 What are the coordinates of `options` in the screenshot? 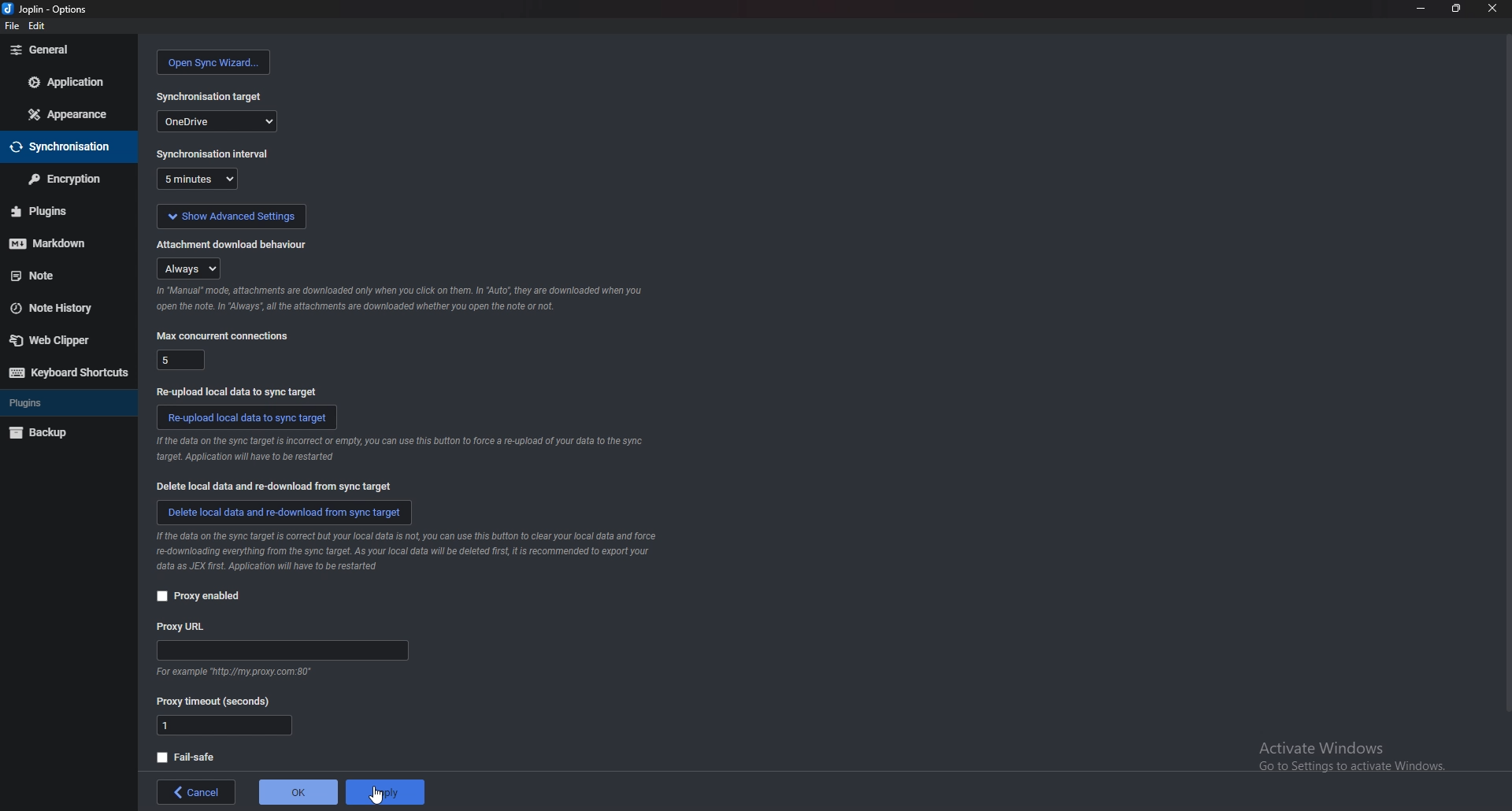 It's located at (47, 9).